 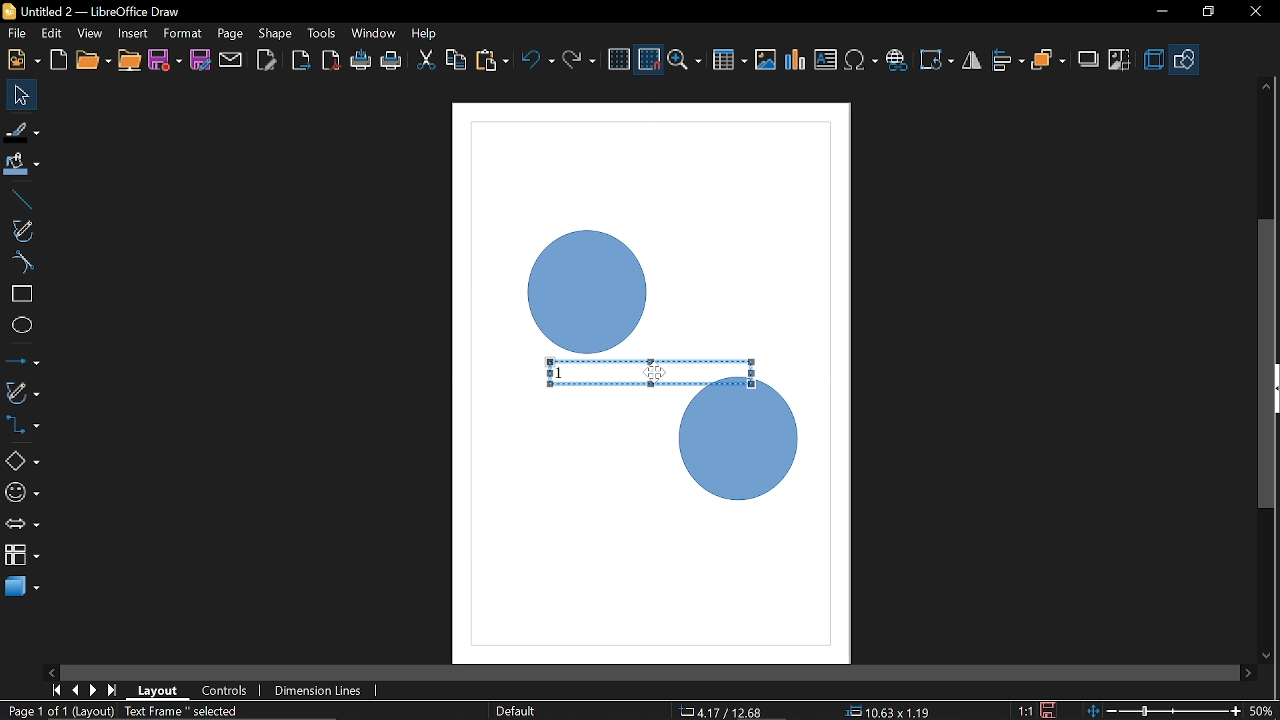 What do you see at coordinates (90, 11) in the screenshot?
I see `Current window` at bounding box center [90, 11].